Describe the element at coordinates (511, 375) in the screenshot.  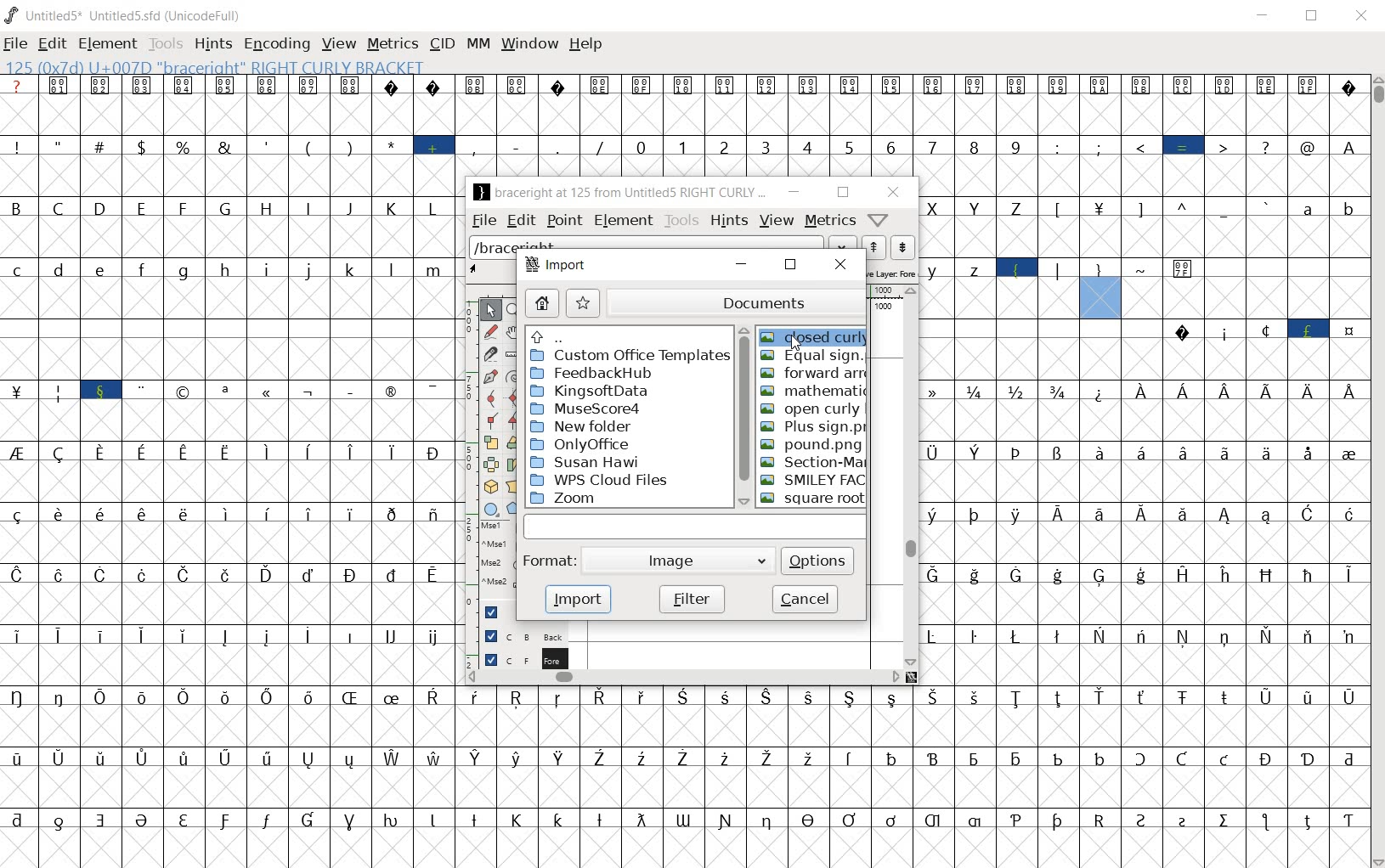
I see `change whether spiro is active or not` at that location.